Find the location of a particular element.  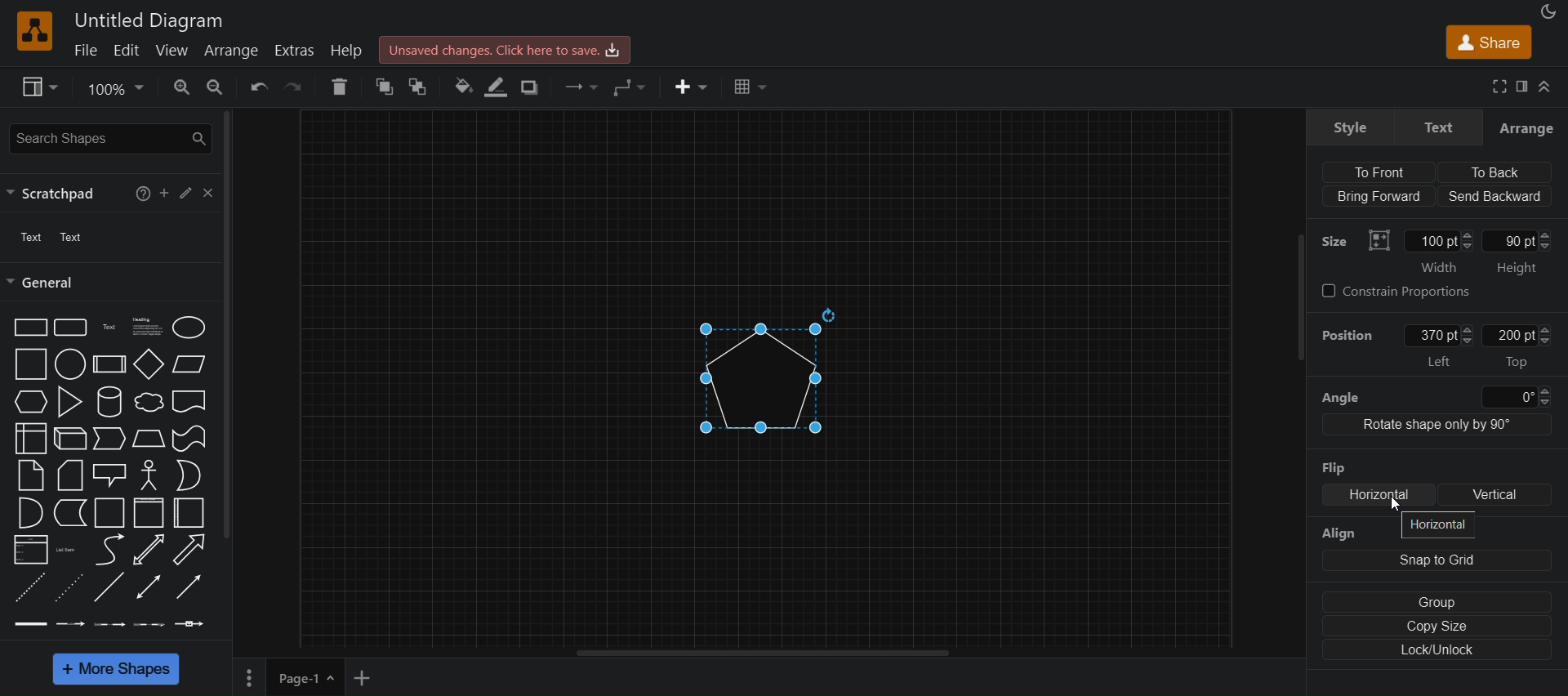

To back is located at coordinates (1493, 172).